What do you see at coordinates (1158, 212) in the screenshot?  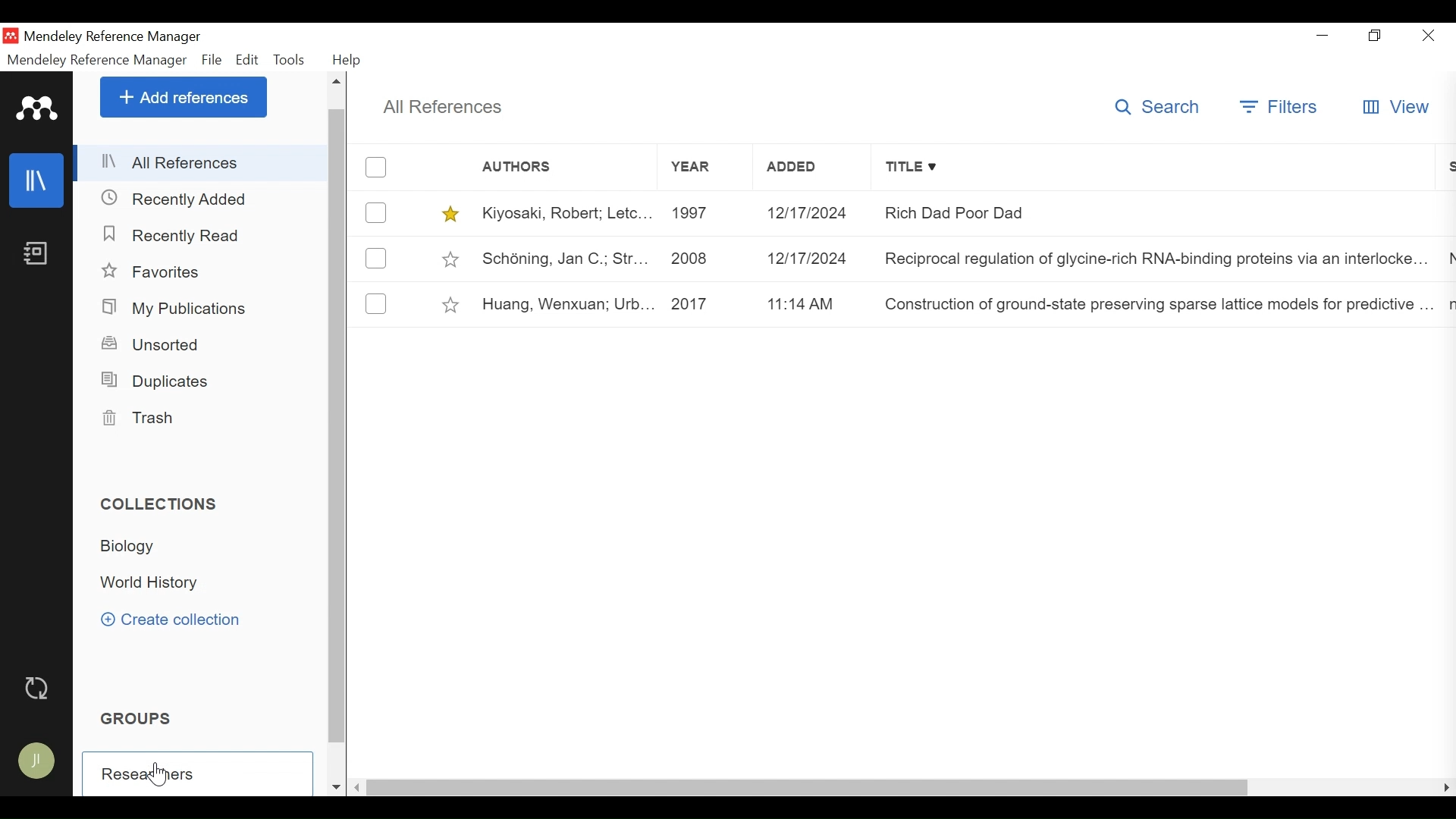 I see `Rich Dad Poor Dad` at bounding box center [1158, 212].